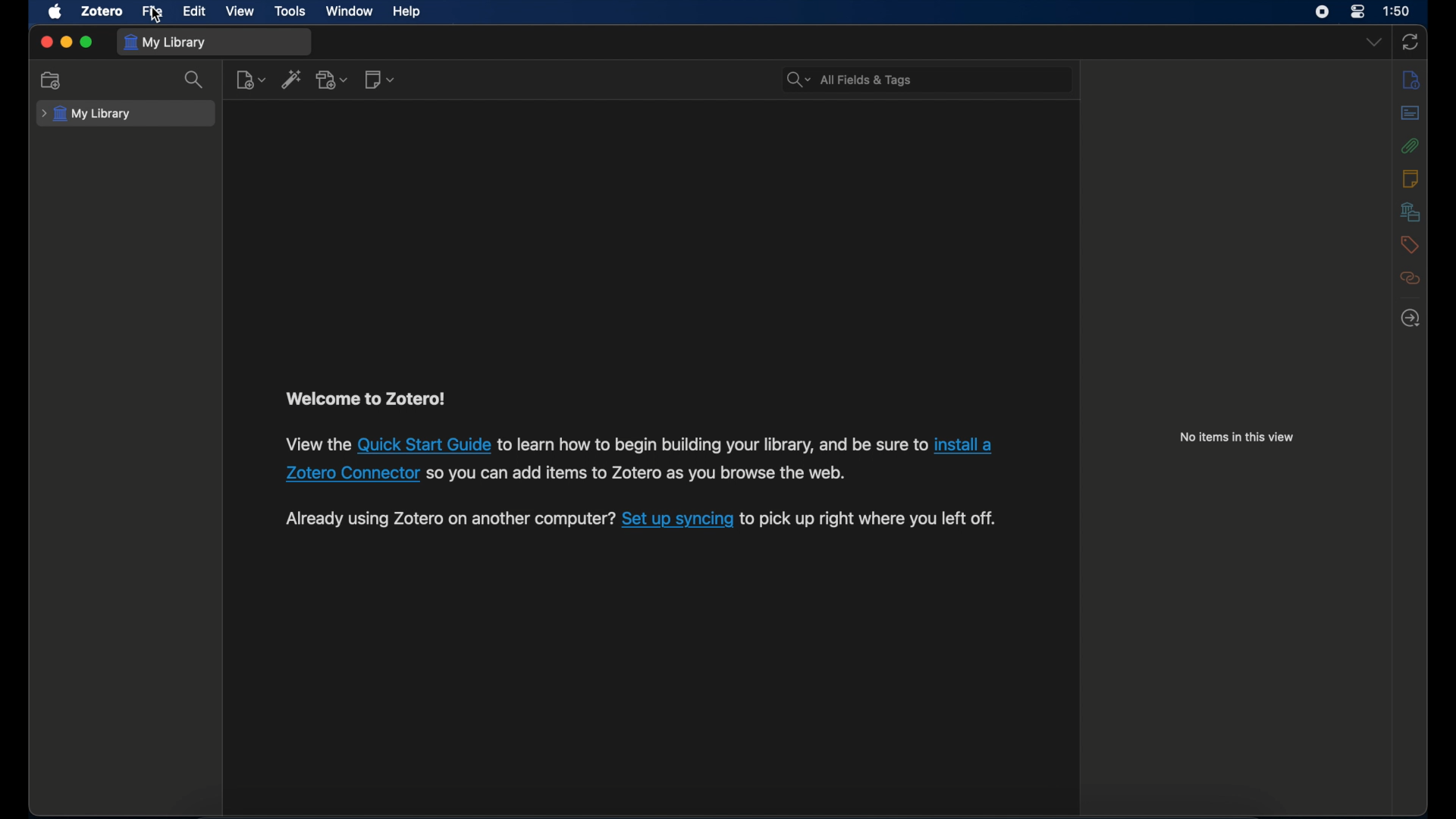 This screenshot has height=819, width=1456. Describe the element at coordinates (65, 42) in the screenshot. I see `minimize` at that location.